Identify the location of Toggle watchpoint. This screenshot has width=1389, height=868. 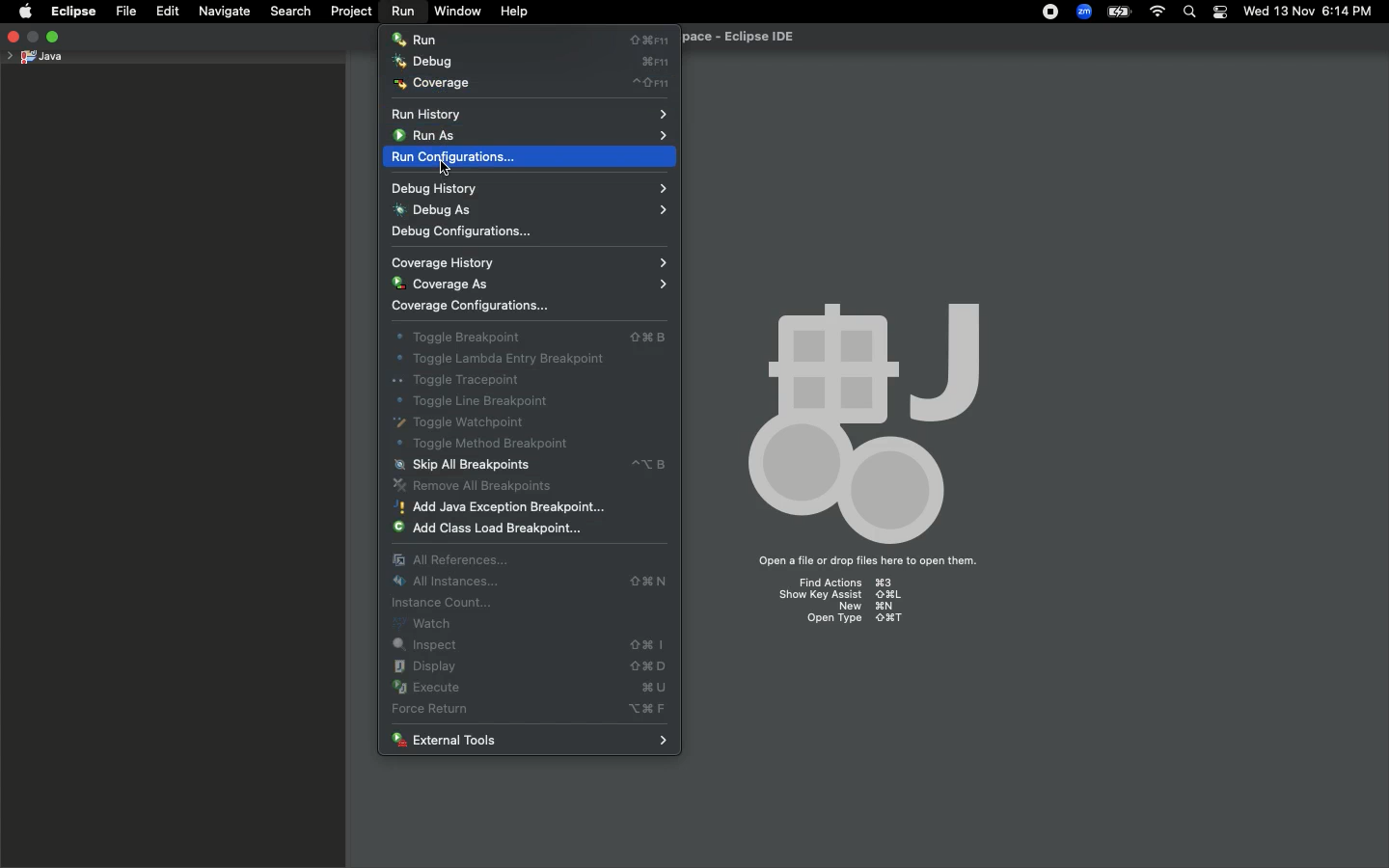
(461, 423).